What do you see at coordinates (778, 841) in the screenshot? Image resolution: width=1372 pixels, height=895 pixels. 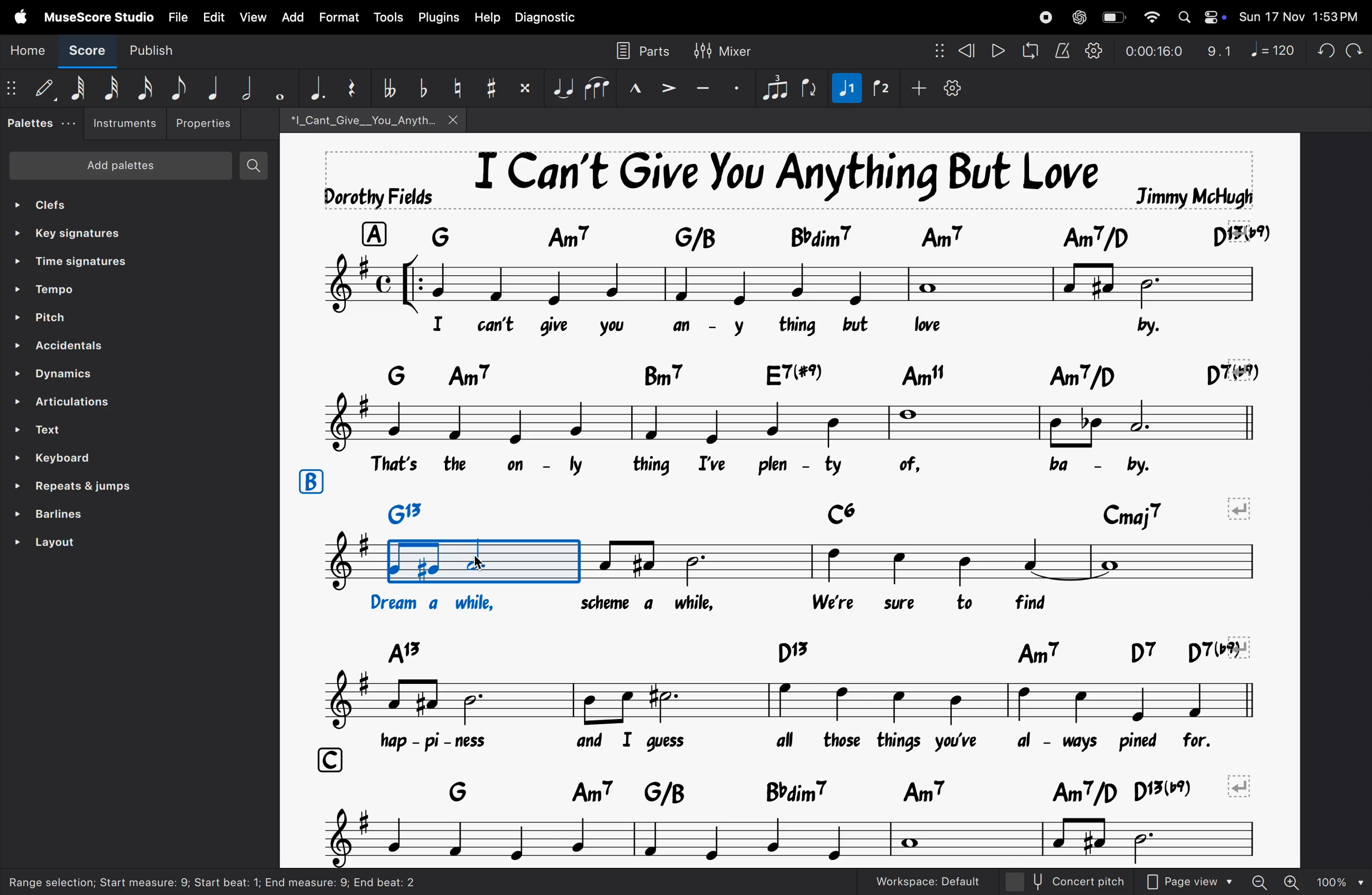 I see `notes` at bounding box center [778, 841].